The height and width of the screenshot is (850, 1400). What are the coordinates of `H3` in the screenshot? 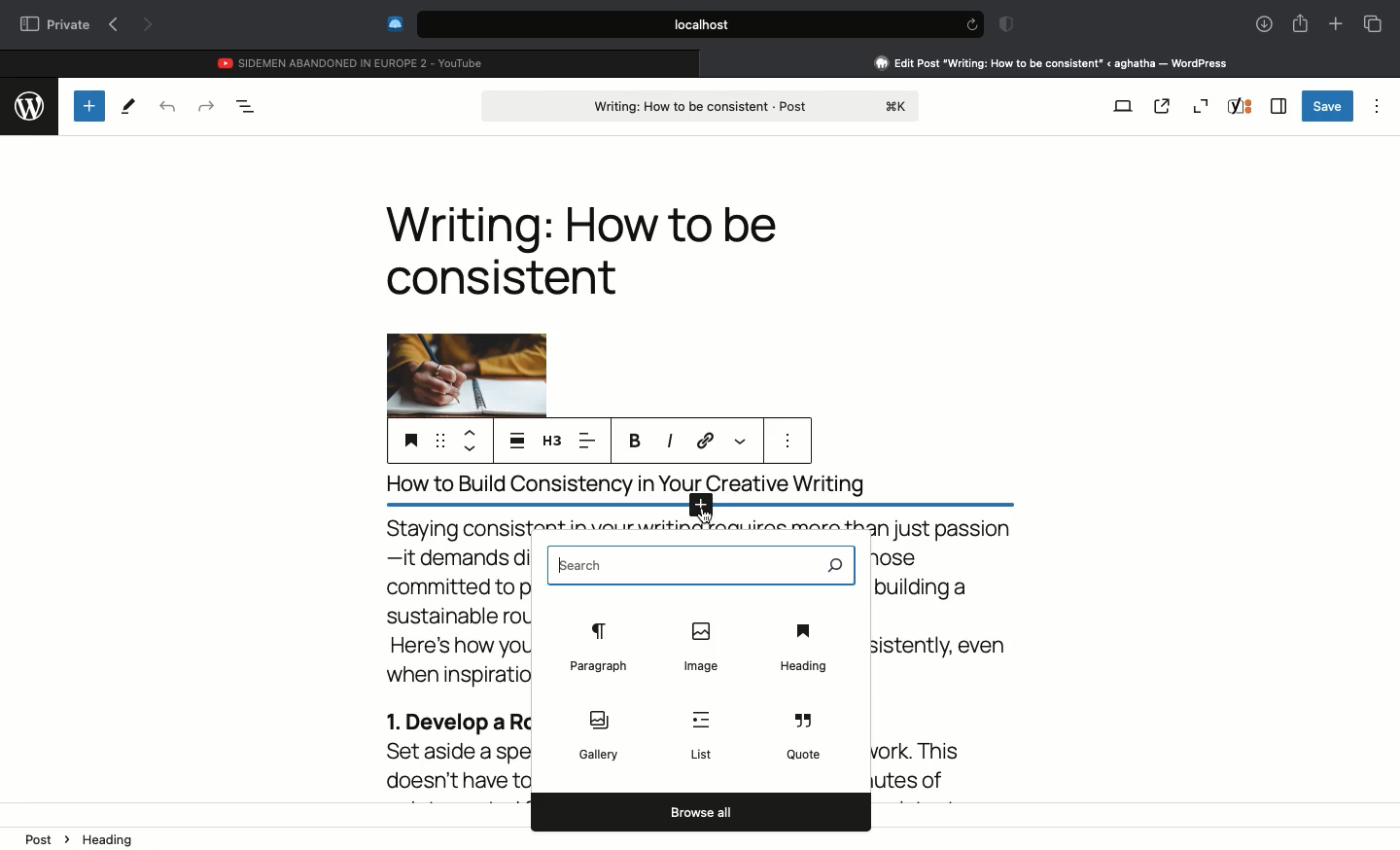 It's located at (552, 441).